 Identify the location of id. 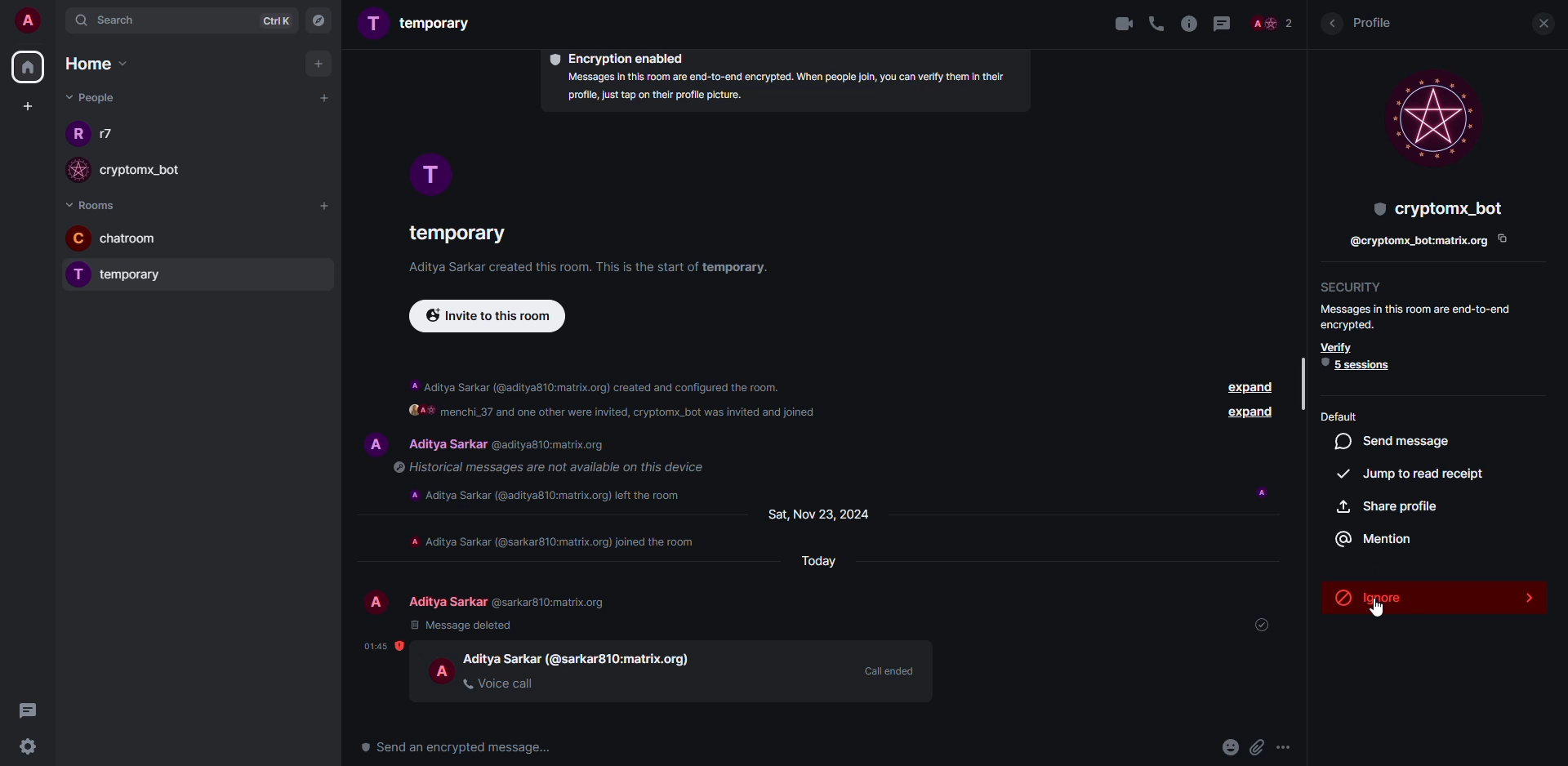
(1416, 243).